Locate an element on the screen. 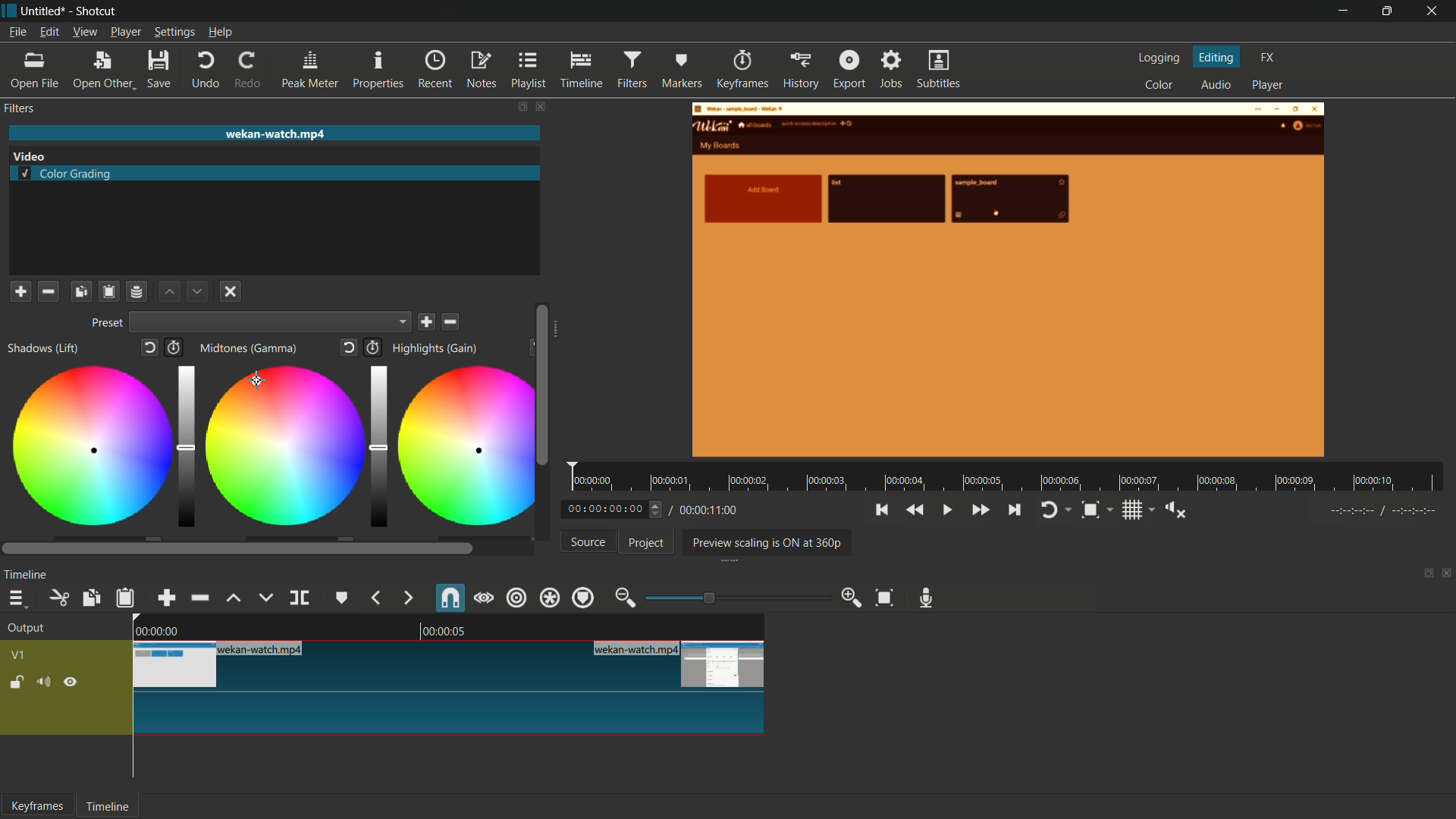 The width and height of the screenshot is (1456, 819). dropdown is located at coordinates (270, 322).